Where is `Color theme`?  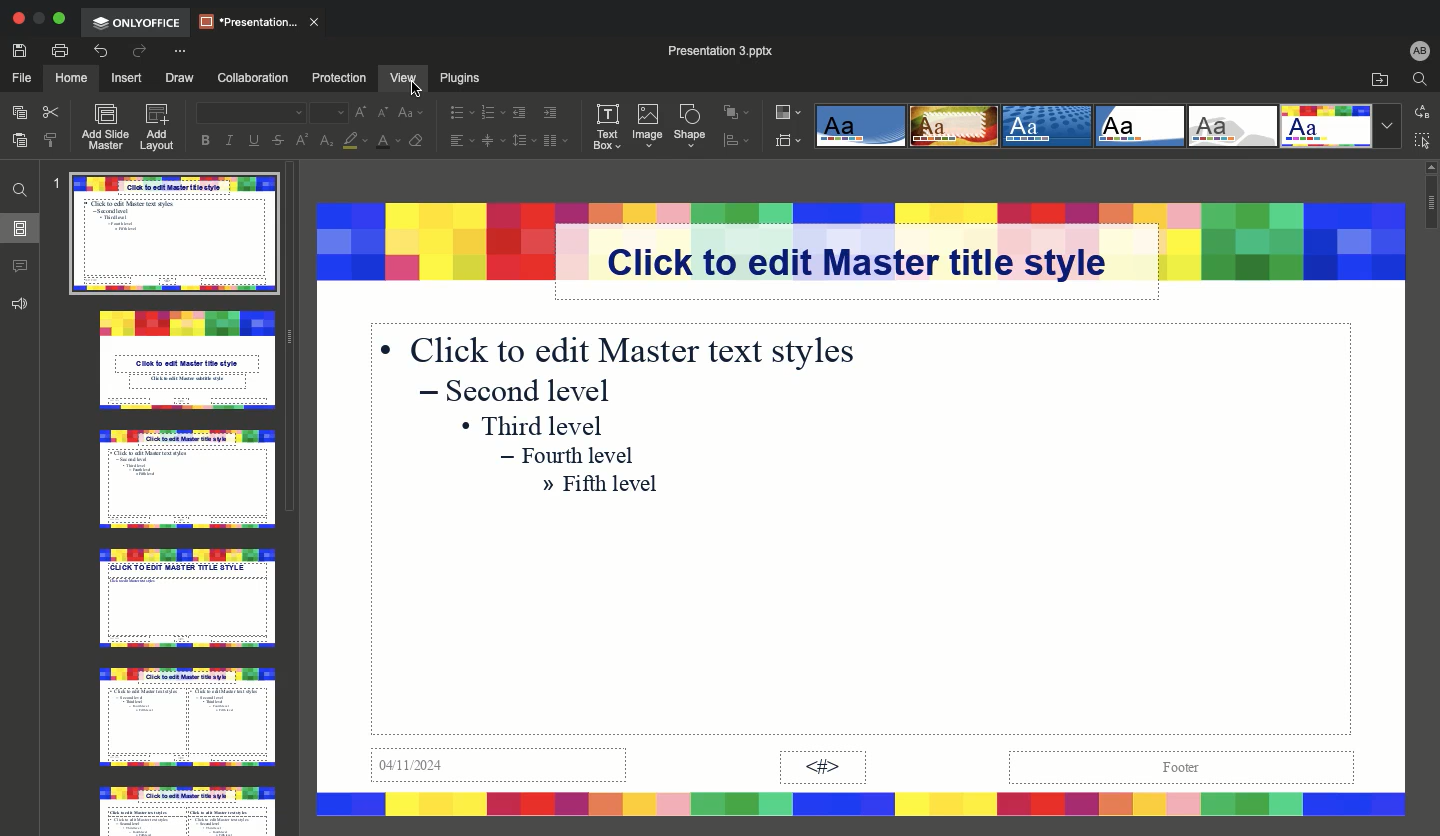
Color theme is located at coordinates (788, 111).